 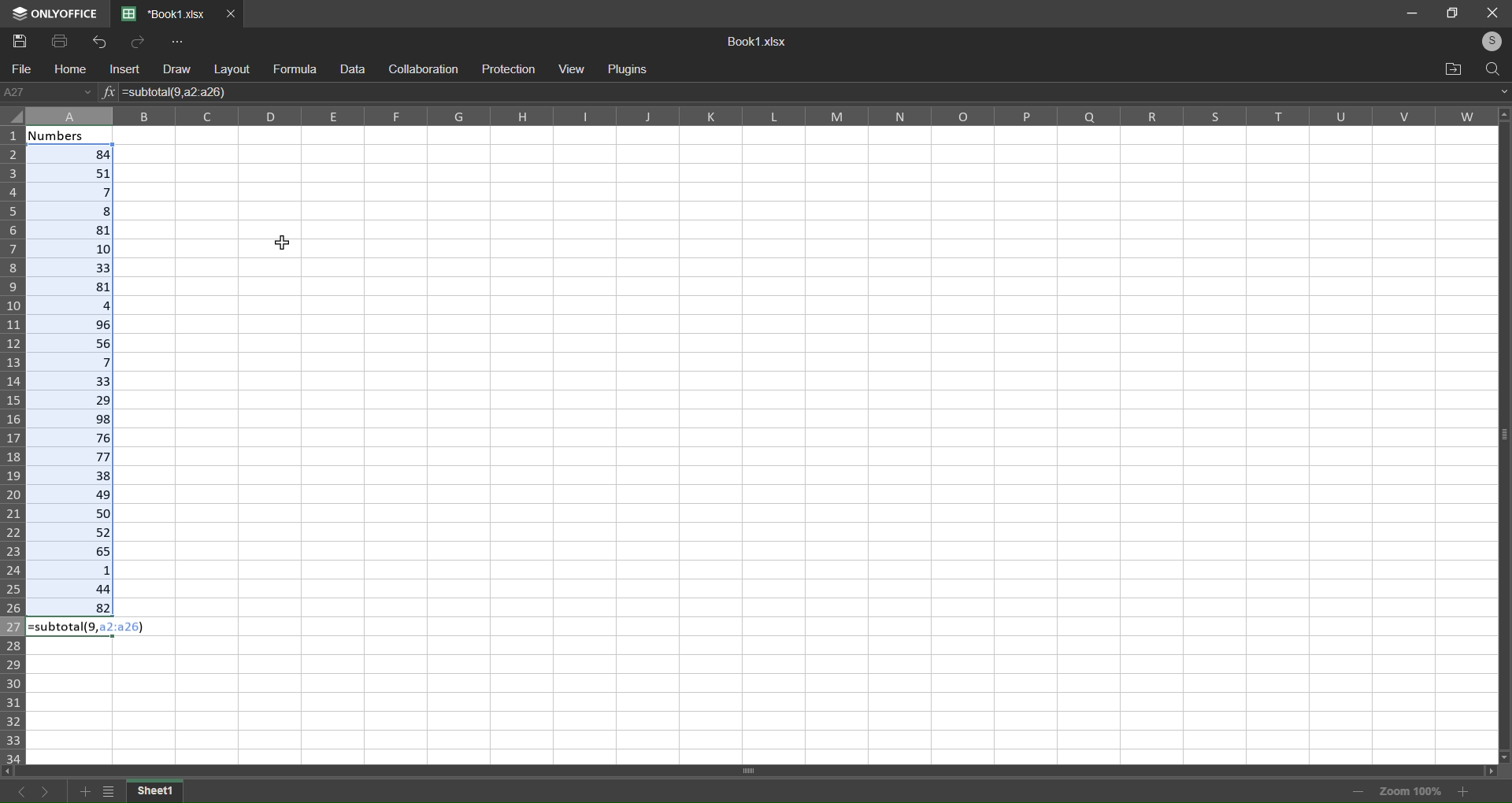 What do you see at coordinates (825, 444) in the screenshot?
I see `cells` at bounding box center [825, 444].